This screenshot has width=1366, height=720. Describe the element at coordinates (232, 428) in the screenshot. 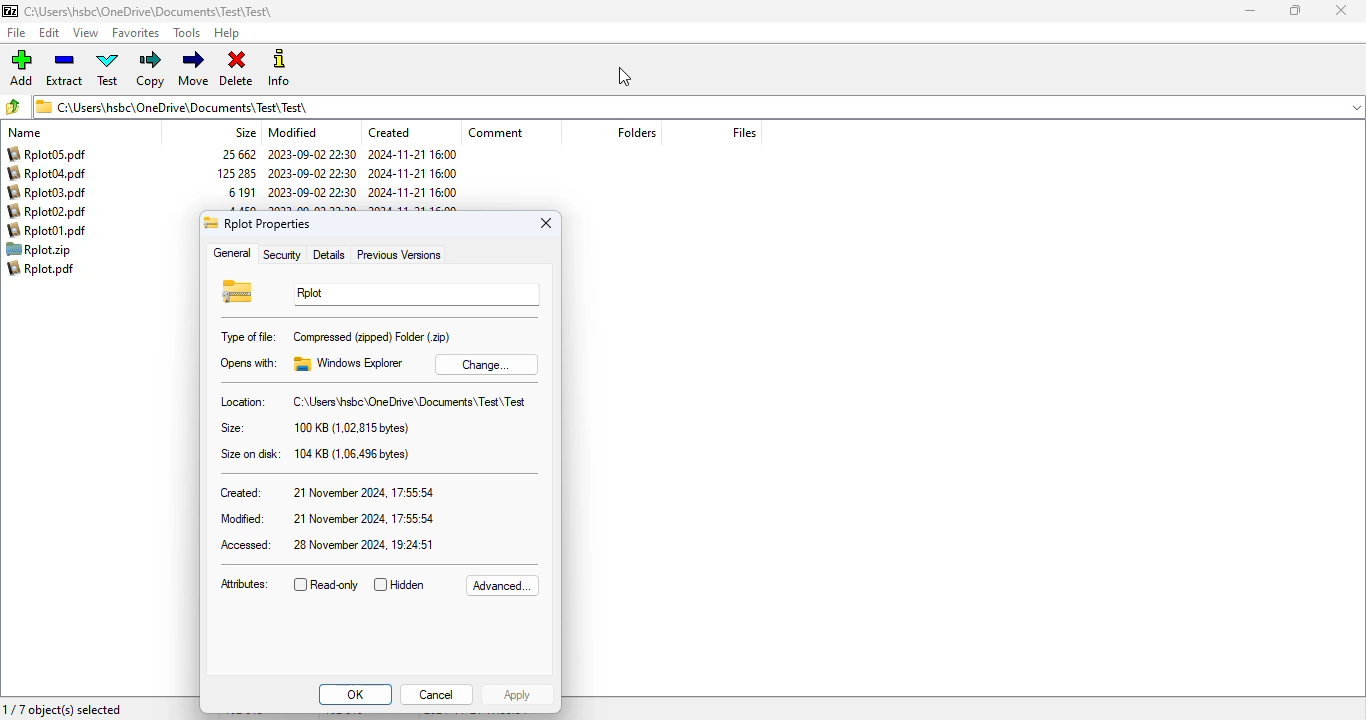

I see `size` at that location.